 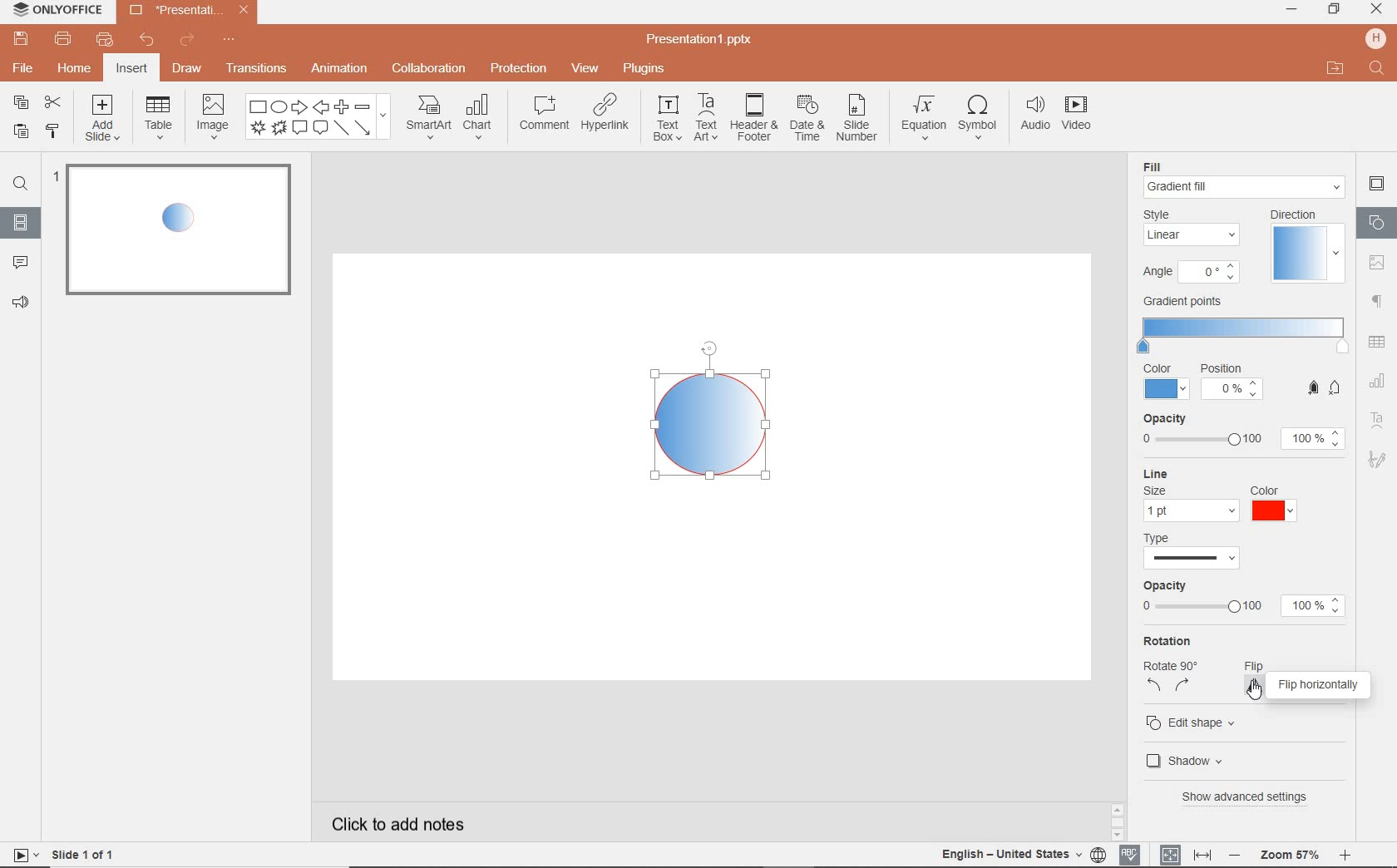 What do you see at coordinates (1013, 856) in the screenshot?
I see `text language` at bounding box center [1013, 856].